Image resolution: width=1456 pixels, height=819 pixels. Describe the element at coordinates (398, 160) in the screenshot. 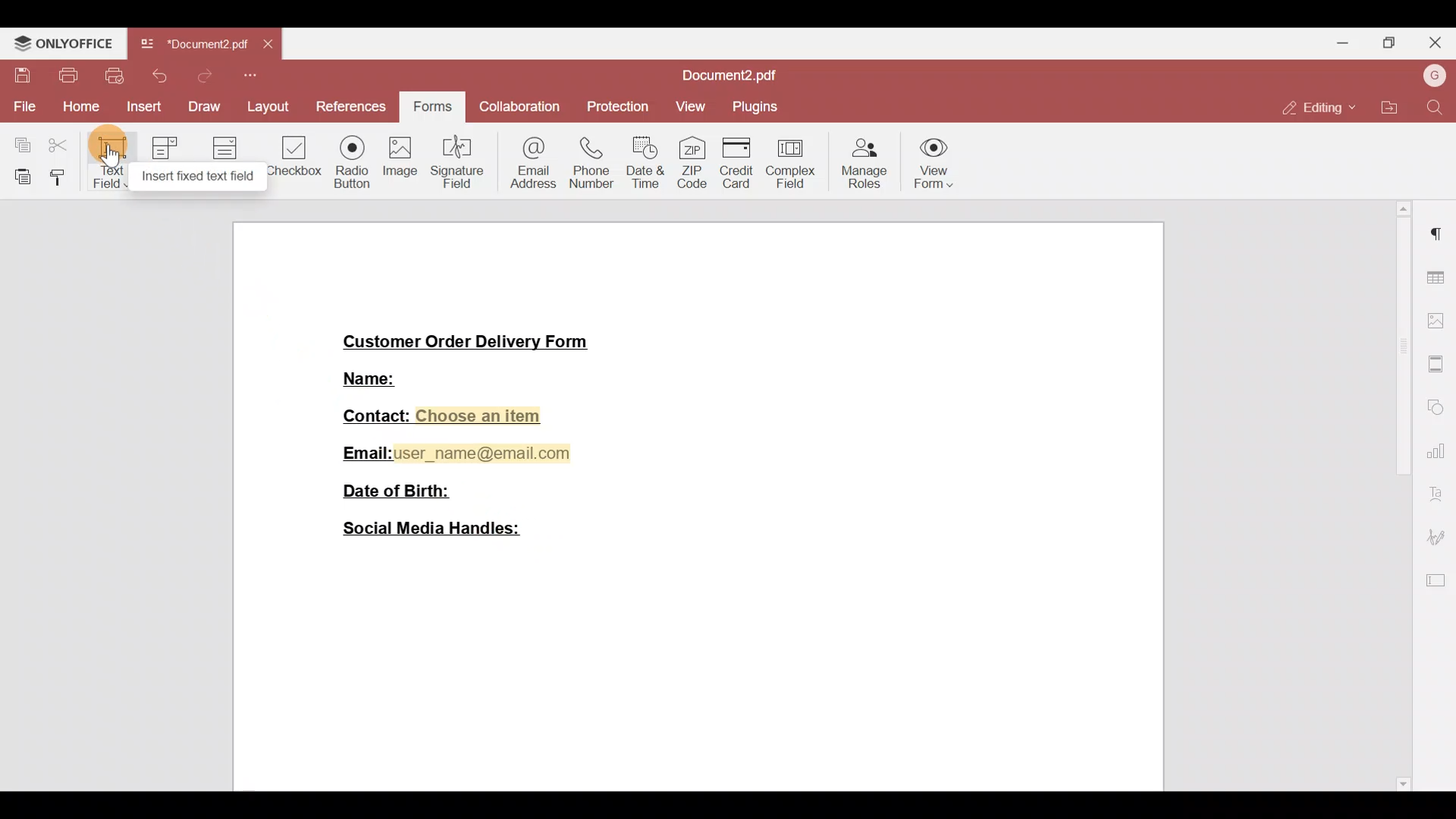

I see `Image` at that location.